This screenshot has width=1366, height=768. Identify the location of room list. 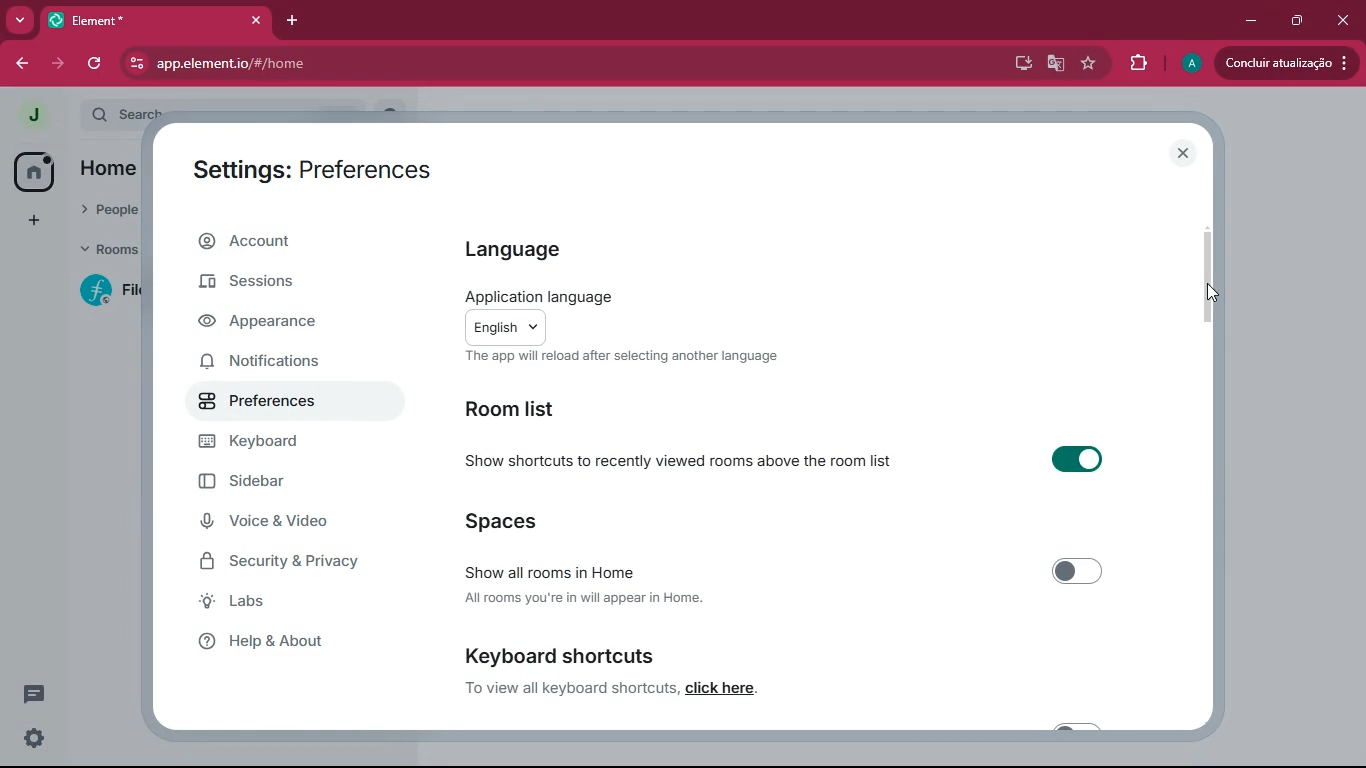
(528, 407).